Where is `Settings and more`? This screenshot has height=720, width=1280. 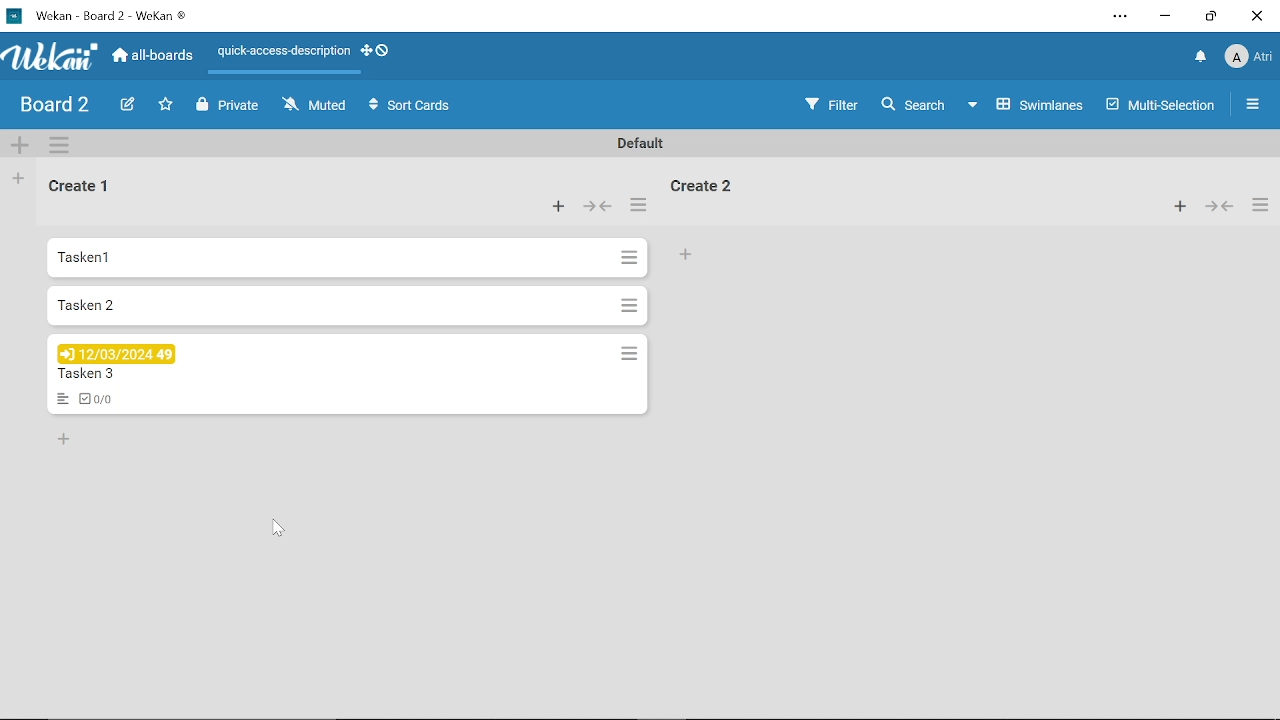
Settings and more is located at coordinates (1120, 16).